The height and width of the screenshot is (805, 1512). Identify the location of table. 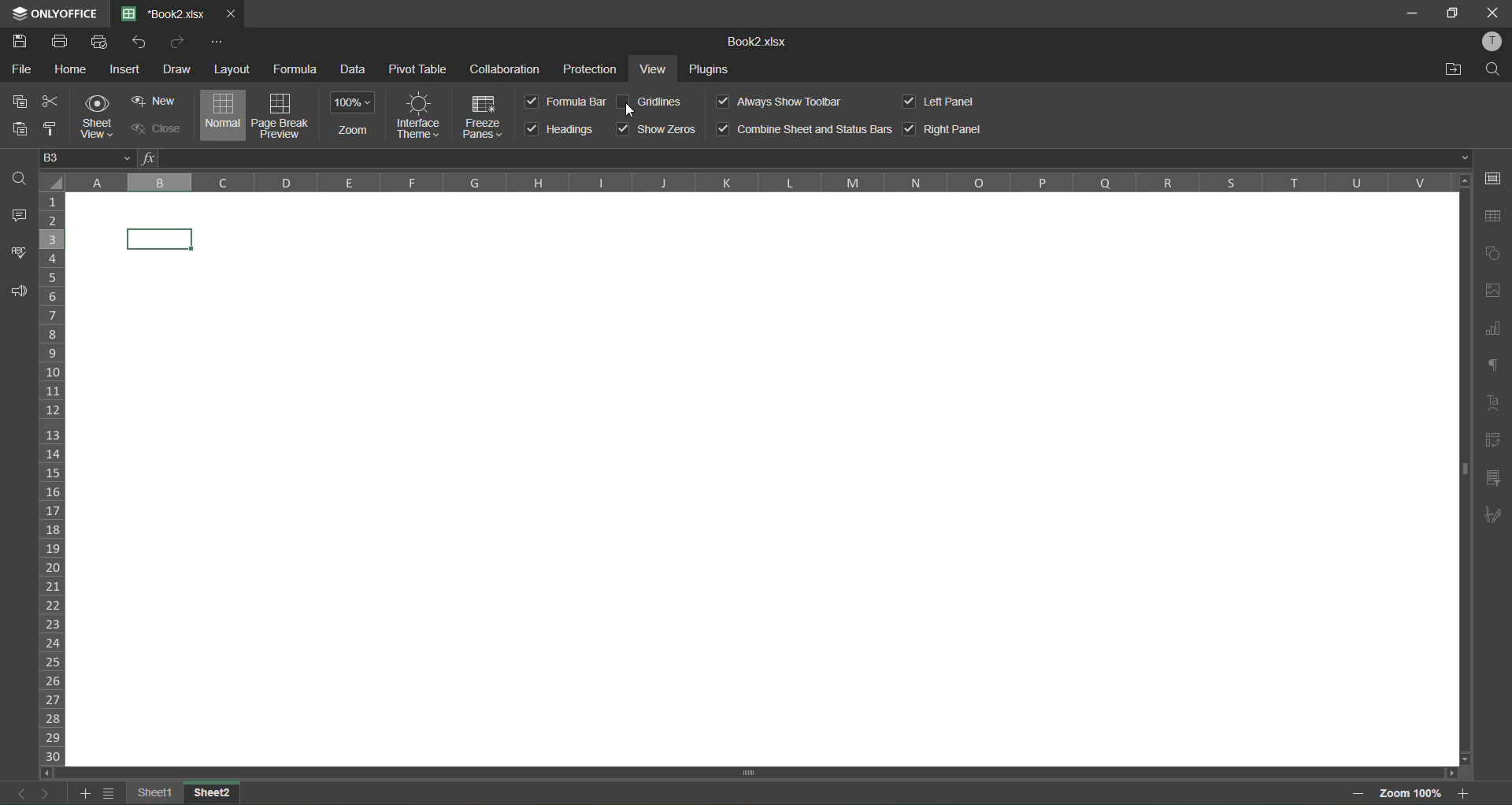
(1496, 216).